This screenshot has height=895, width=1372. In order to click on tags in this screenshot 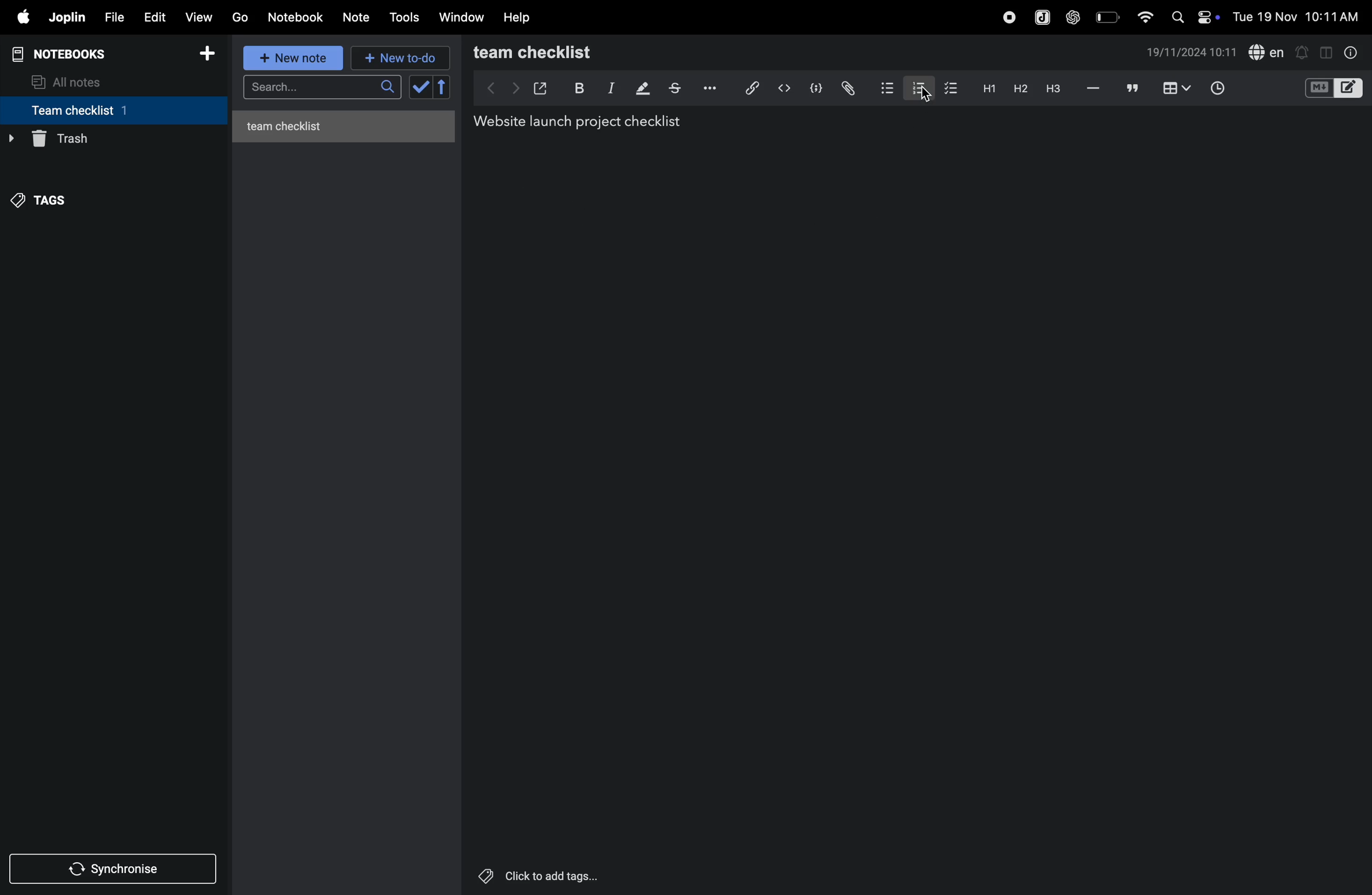, I will do `click(47, 197)`.